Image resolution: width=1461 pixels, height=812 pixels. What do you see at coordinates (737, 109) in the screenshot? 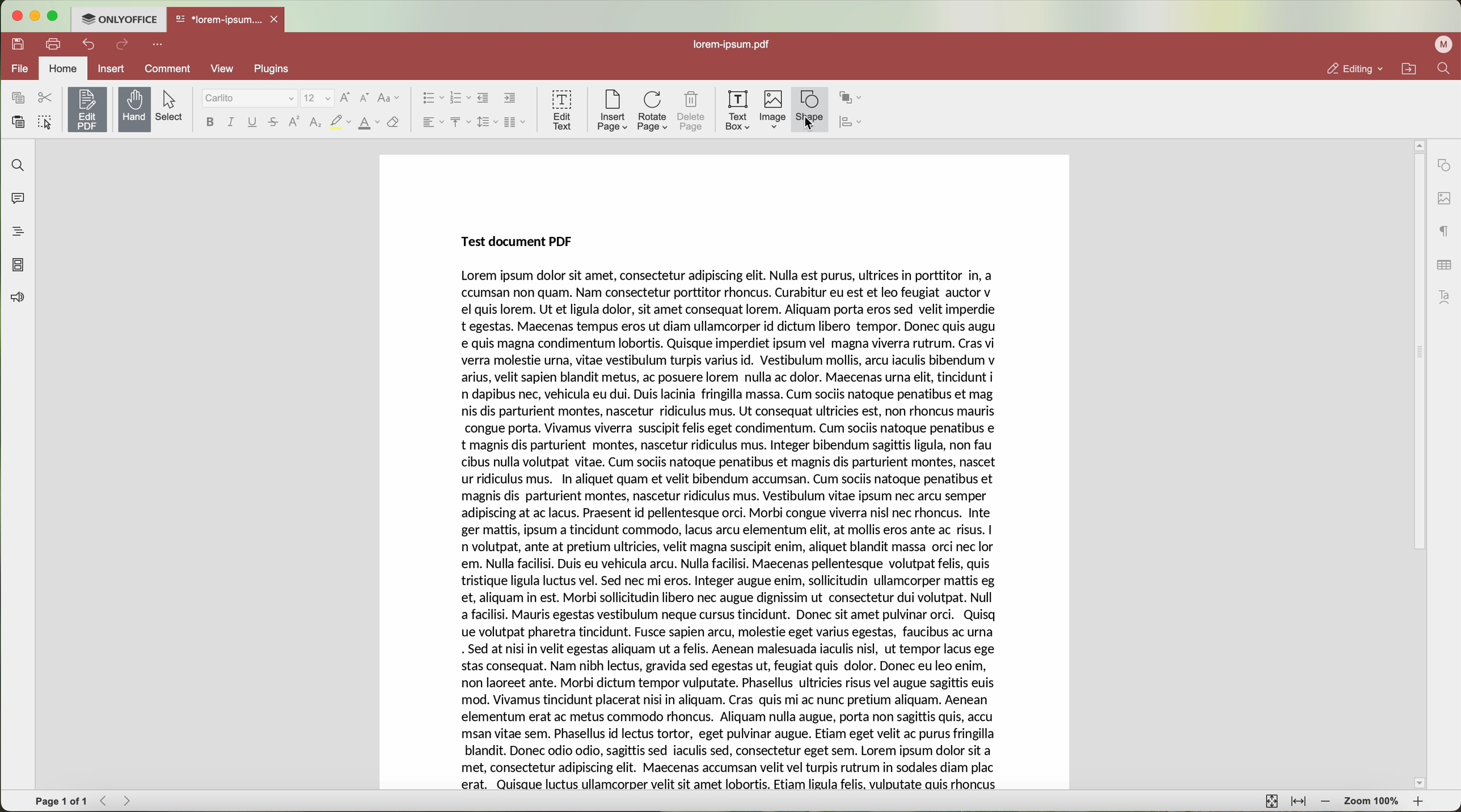
I see `text box` at bounding box center [737, 109].